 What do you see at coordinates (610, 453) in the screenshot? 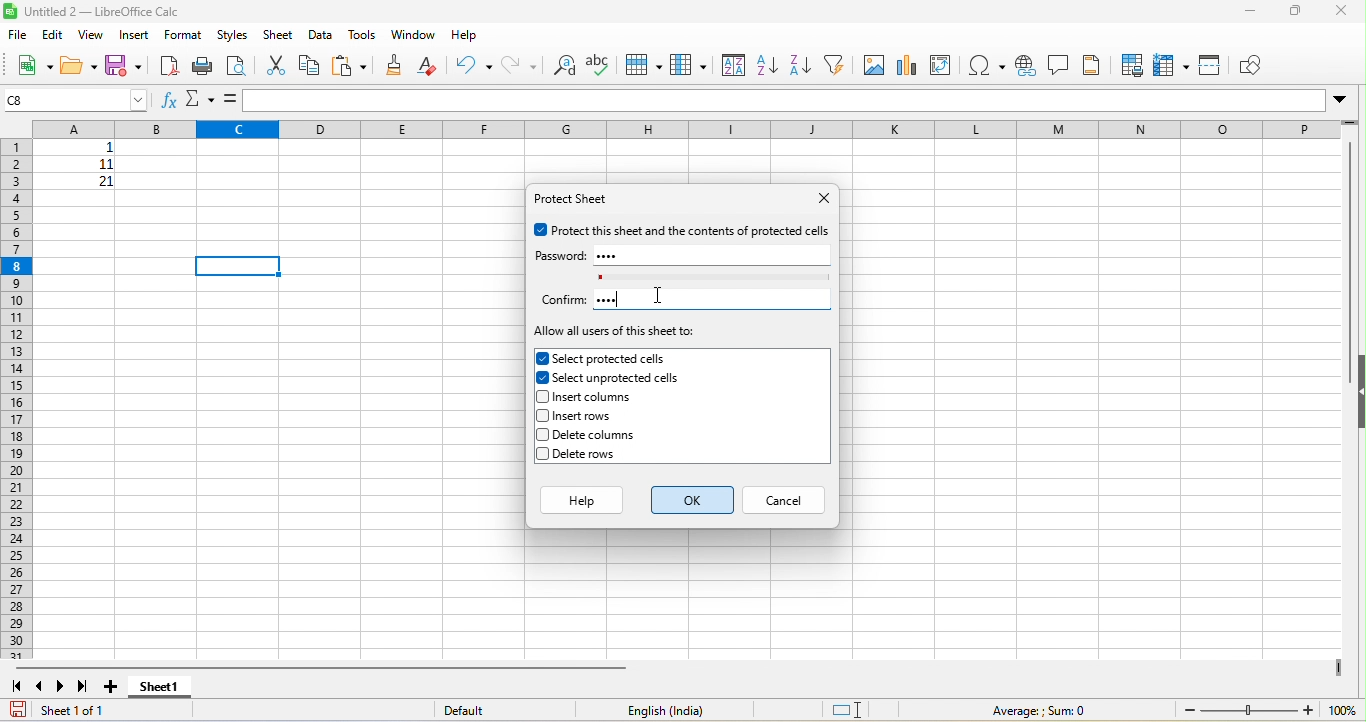
I see `delete rows` at bounding box center [610, 453].